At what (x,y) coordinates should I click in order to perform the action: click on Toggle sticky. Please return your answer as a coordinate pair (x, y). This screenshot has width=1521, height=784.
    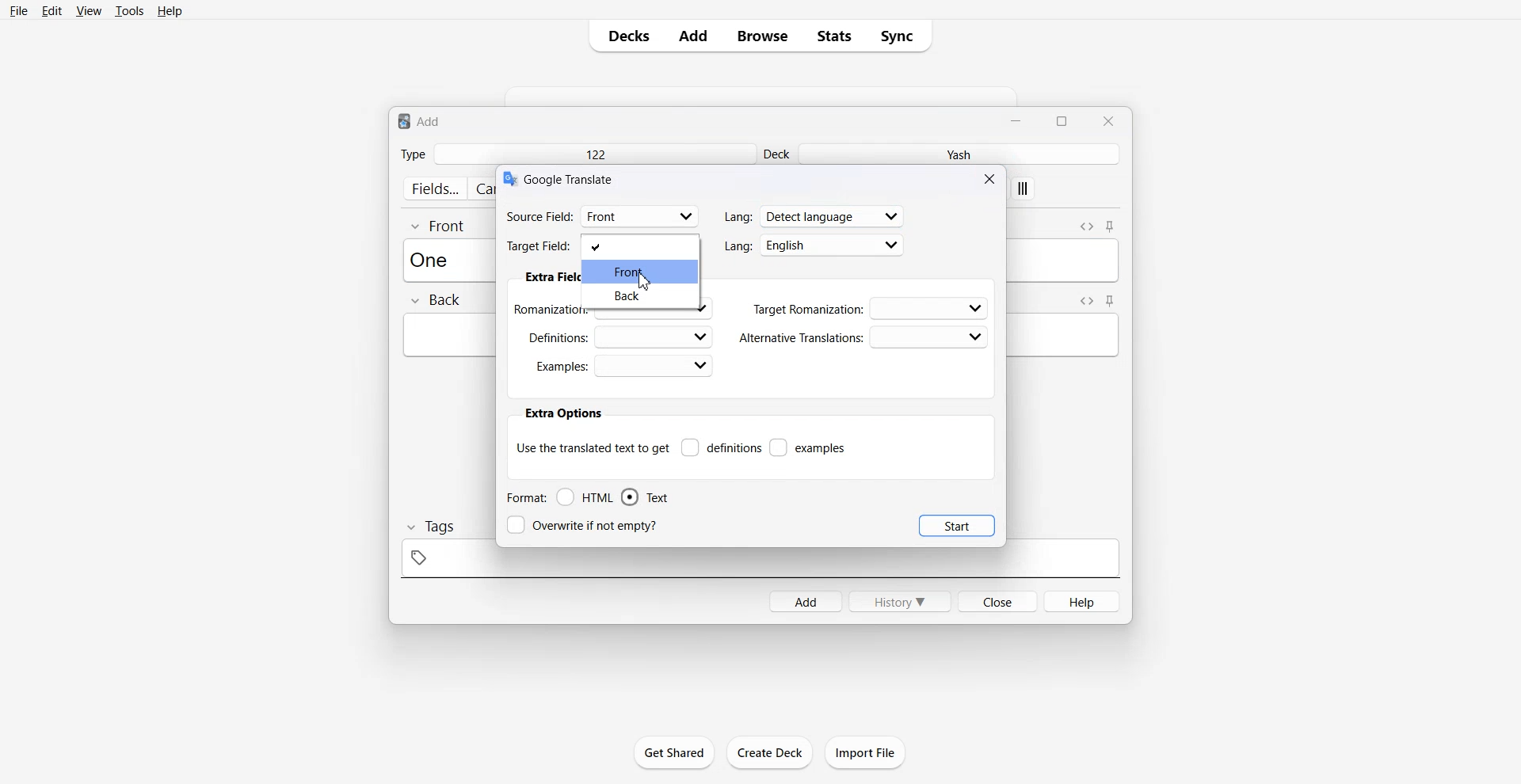
    Looking at the image, I should click on (1111, 227).